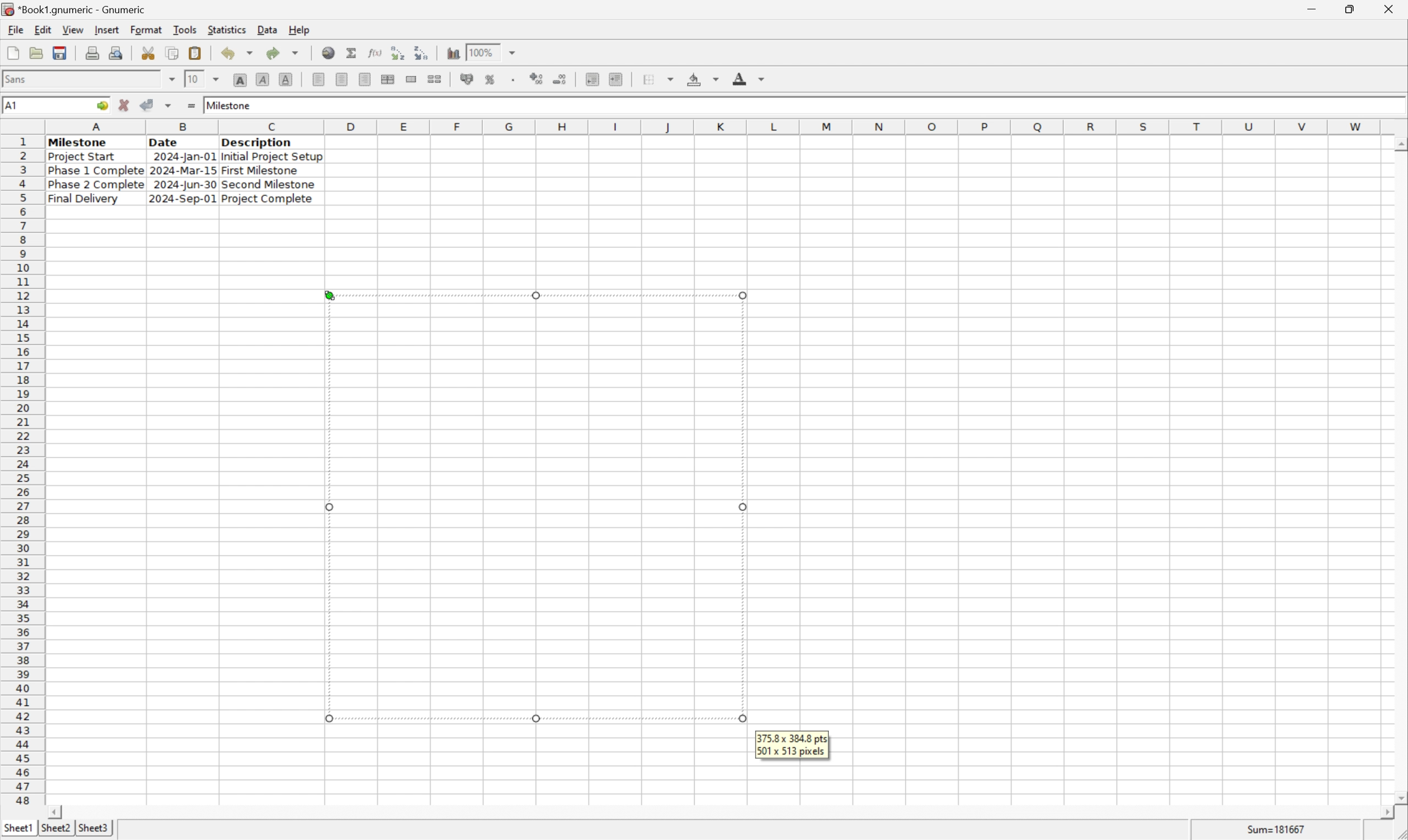  Describe the element at coordinates (516, 79) in the screenshot. I see `Set the format of the selected cells to include a thousands separator` at that location.